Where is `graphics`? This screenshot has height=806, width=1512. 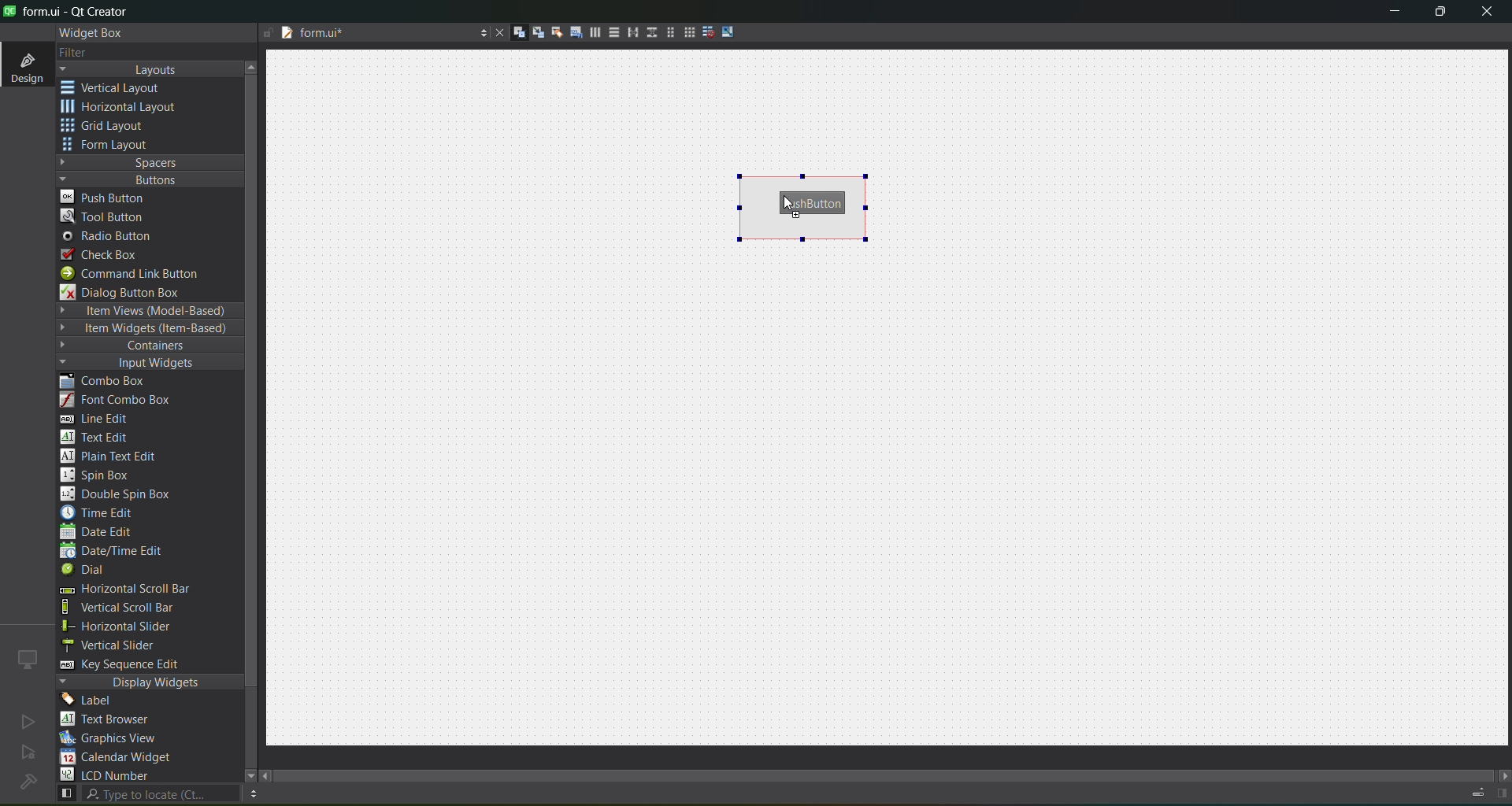 graphics is located at coordinates (115, 738).